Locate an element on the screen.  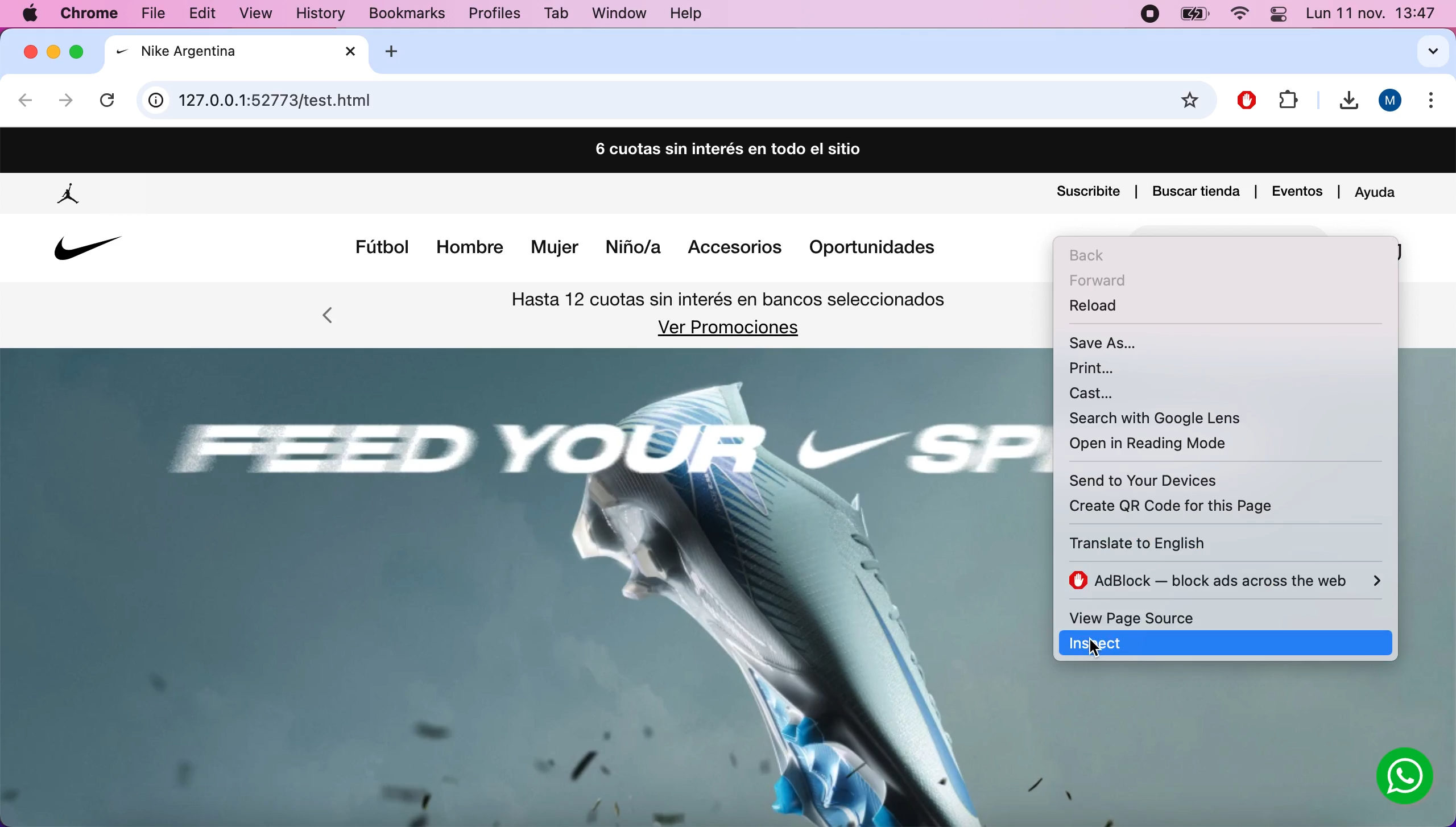
search bar is located at coordinates (675, 101).